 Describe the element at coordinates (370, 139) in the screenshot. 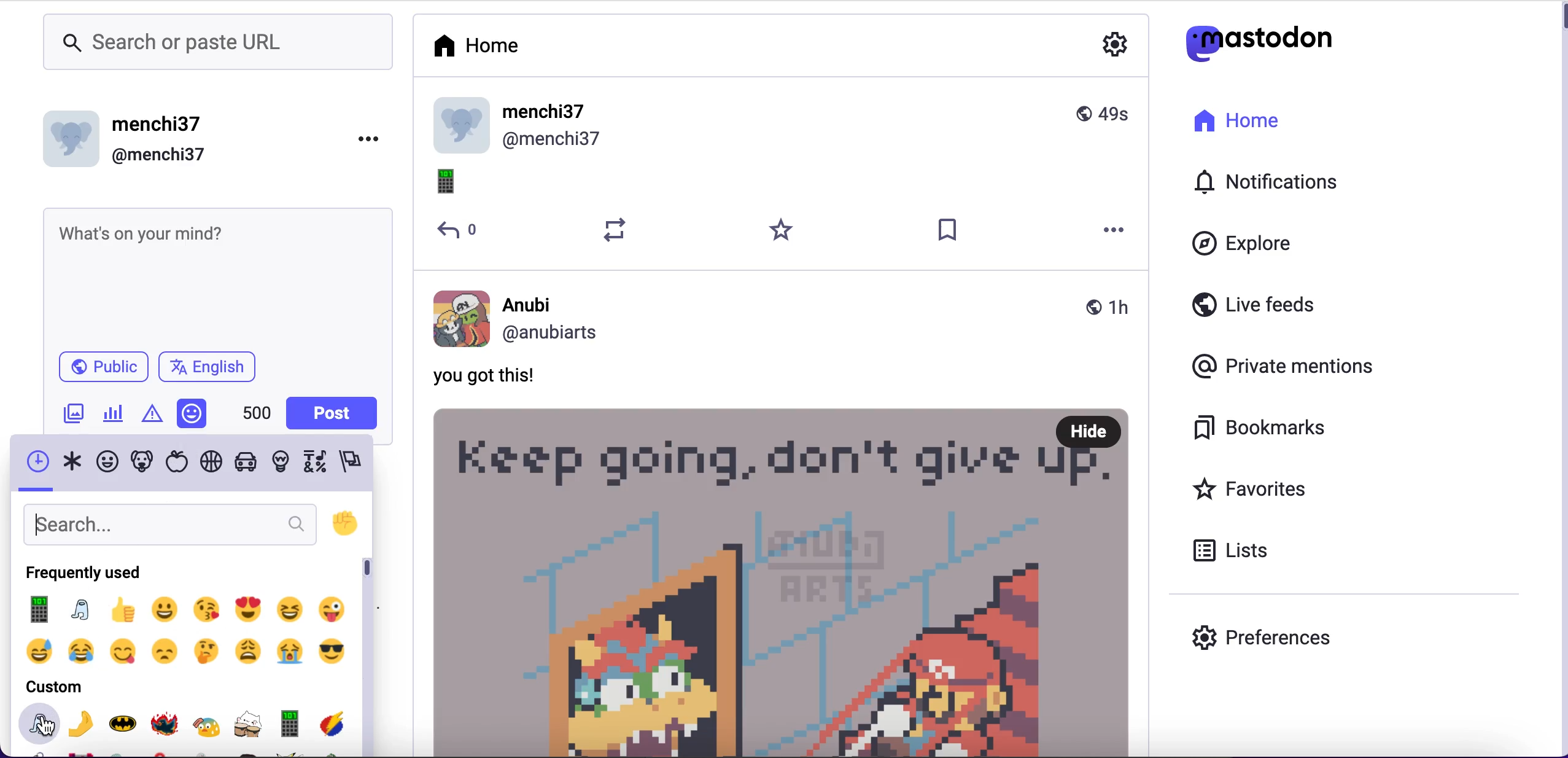

I see `options` at that location.